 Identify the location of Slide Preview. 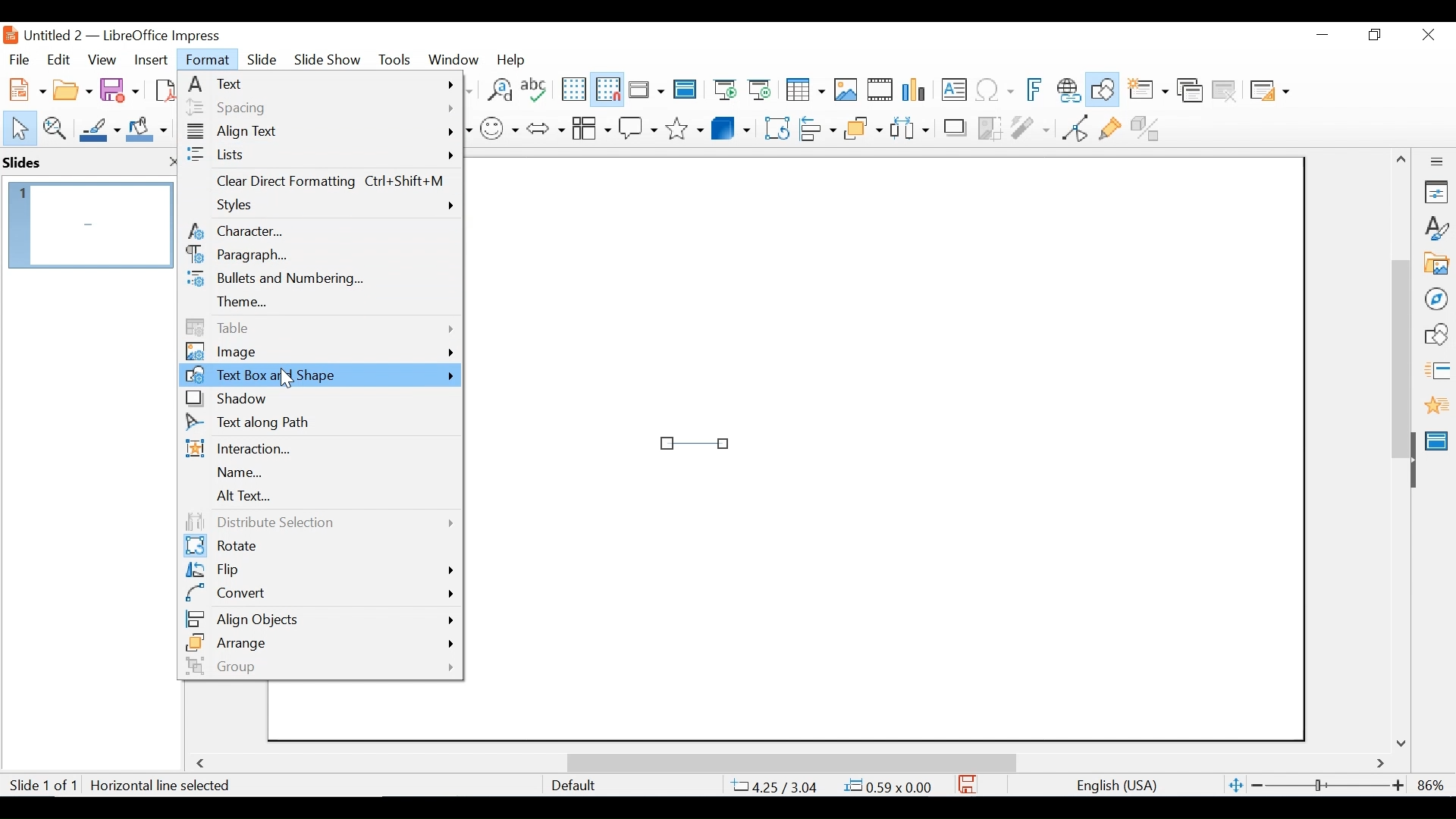
(89, 224).